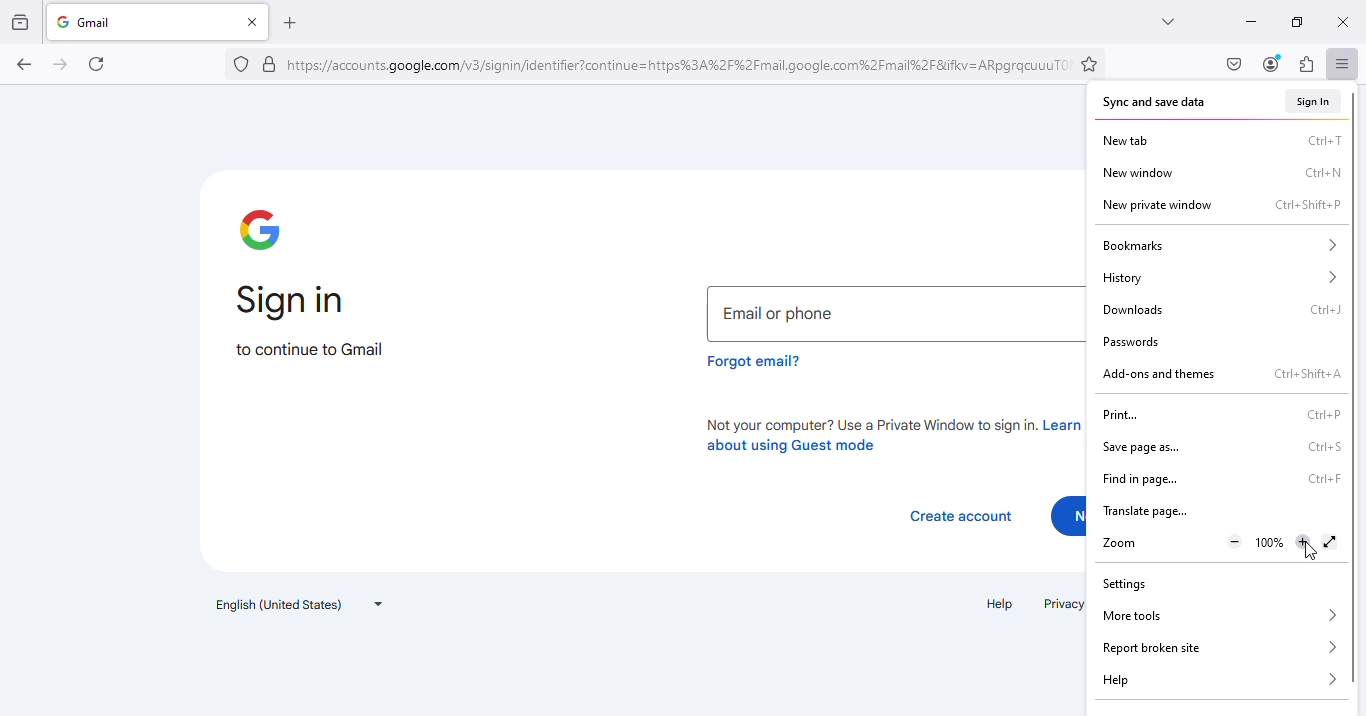  Describe the element at coordinates (1252, 23) in the screenshot. I see `minimize` at that location.